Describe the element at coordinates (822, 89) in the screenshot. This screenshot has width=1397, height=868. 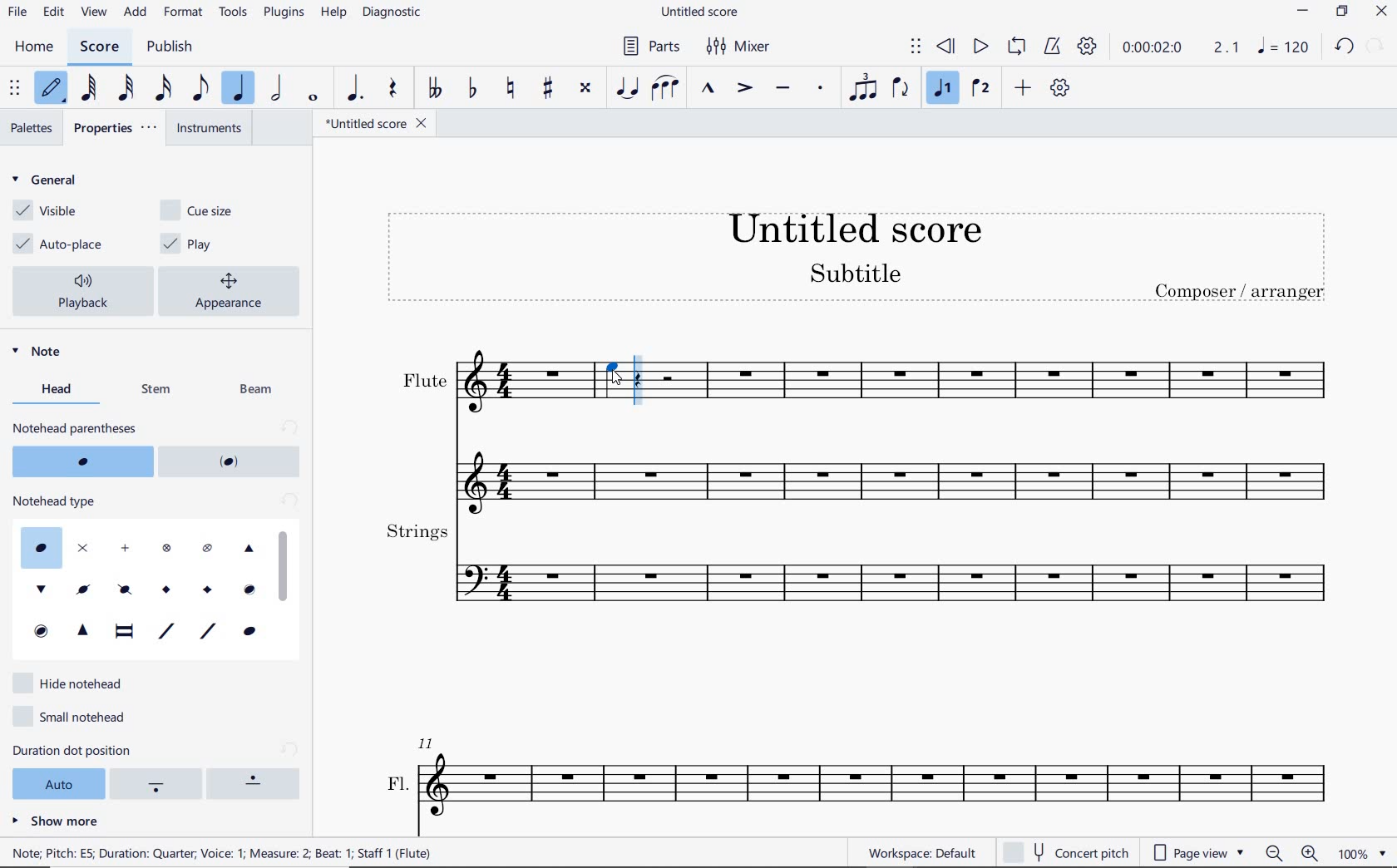
I see `STACCATO` at that location.